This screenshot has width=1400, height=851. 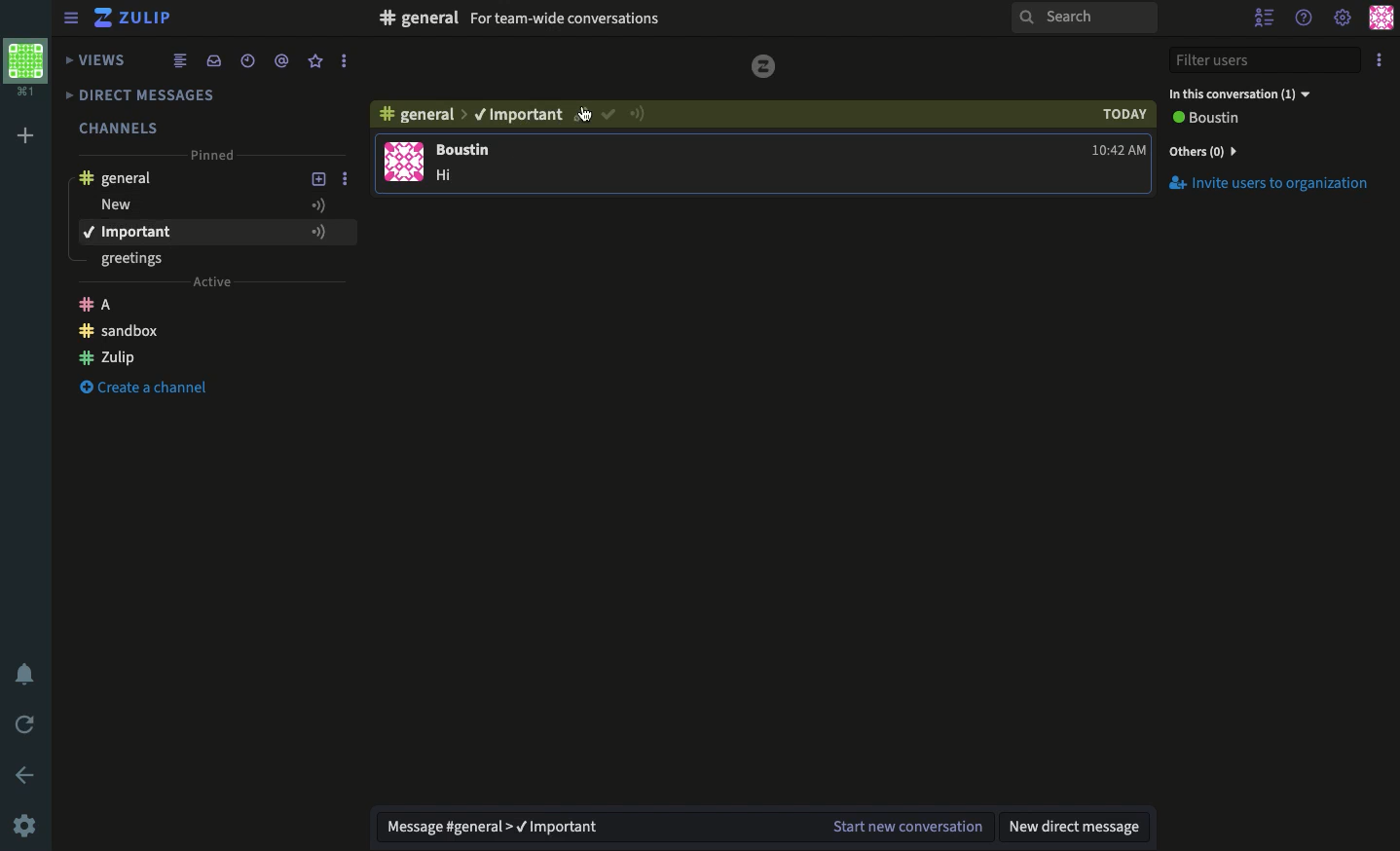 I want to click on New DM, so click(x=1079, y=828).